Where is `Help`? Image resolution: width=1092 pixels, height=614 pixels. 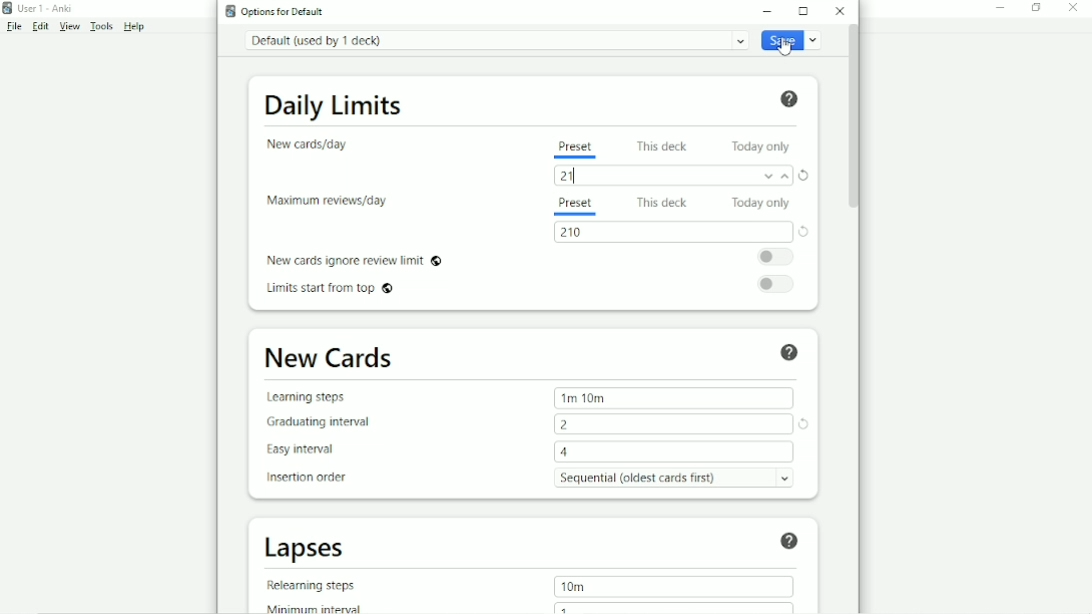 Help is located at coordinates (792, 352).